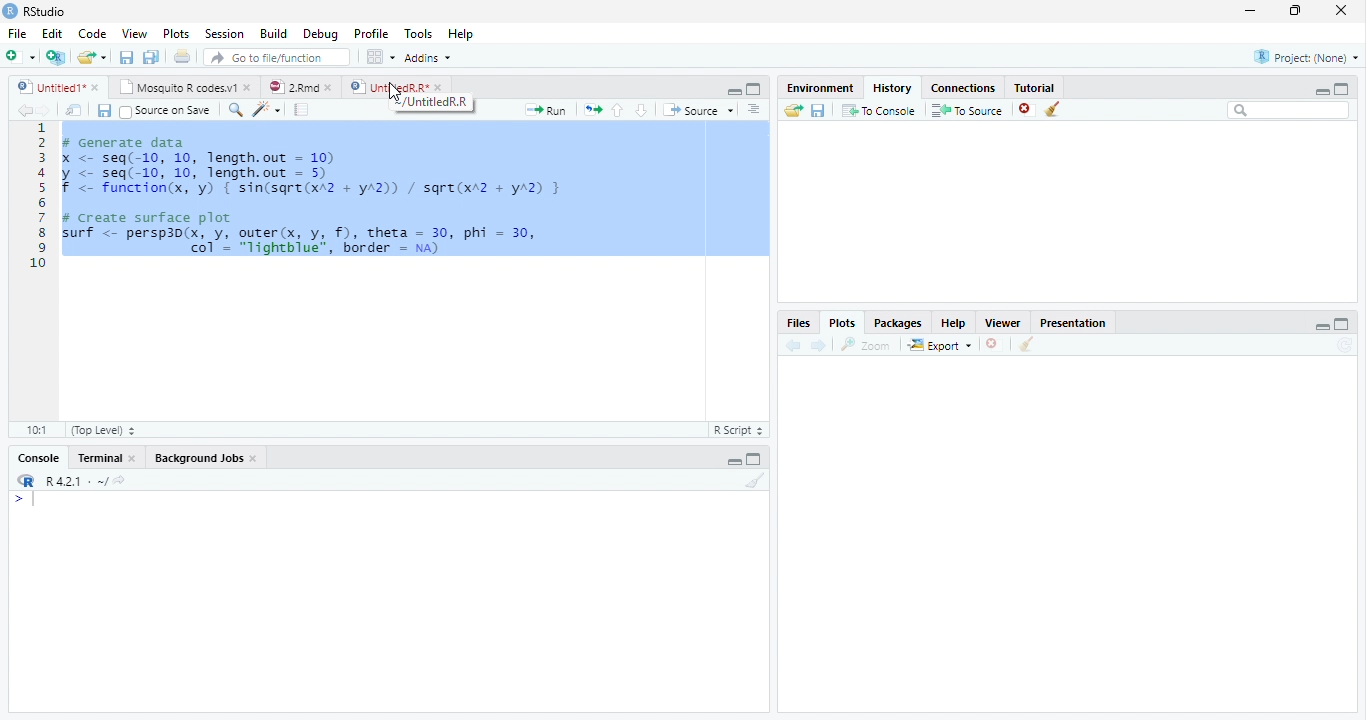 The height and width of the screenshot is (720, 1366). Describe the element at coordinates (273, 33) in the screenshot. I see `Build` at that location.